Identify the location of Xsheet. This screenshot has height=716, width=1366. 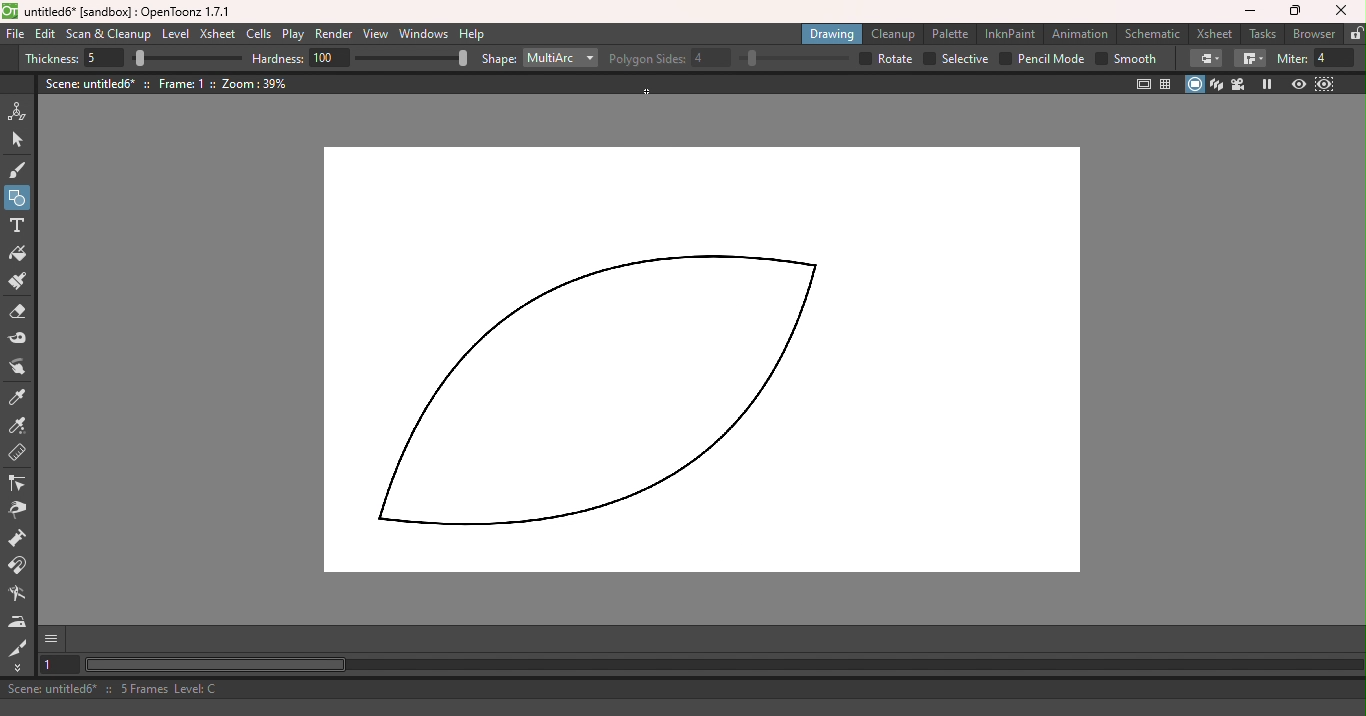
(1214, 33).